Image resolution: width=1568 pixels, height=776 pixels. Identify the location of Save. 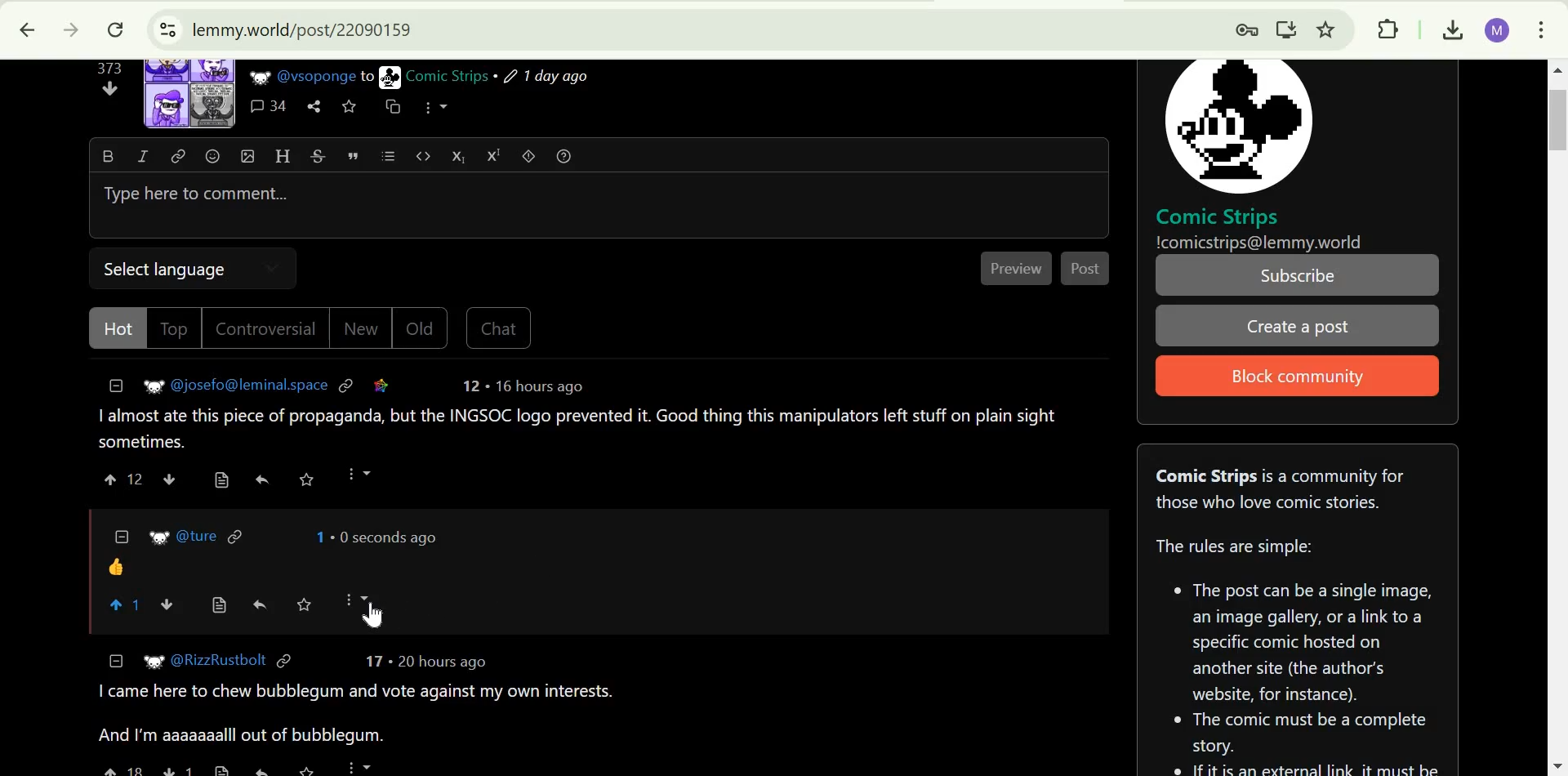
(349, 107).